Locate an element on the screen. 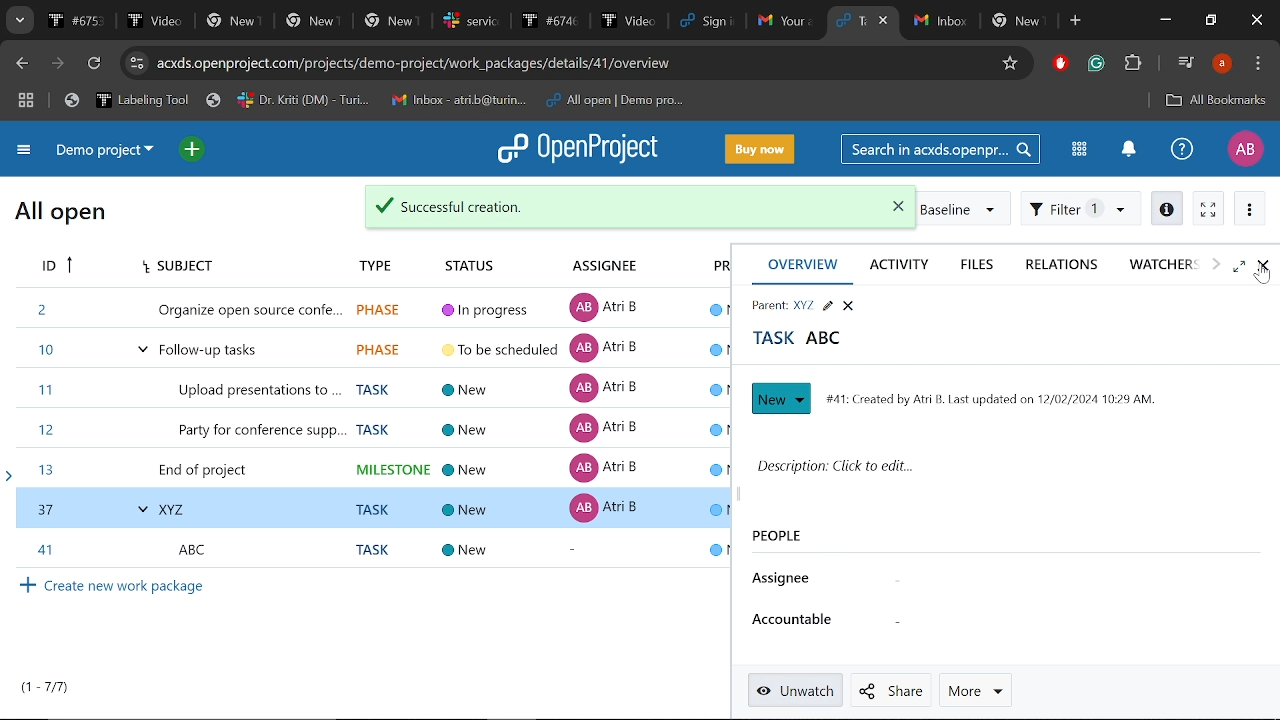  Share is located at coordinates (886, 691).